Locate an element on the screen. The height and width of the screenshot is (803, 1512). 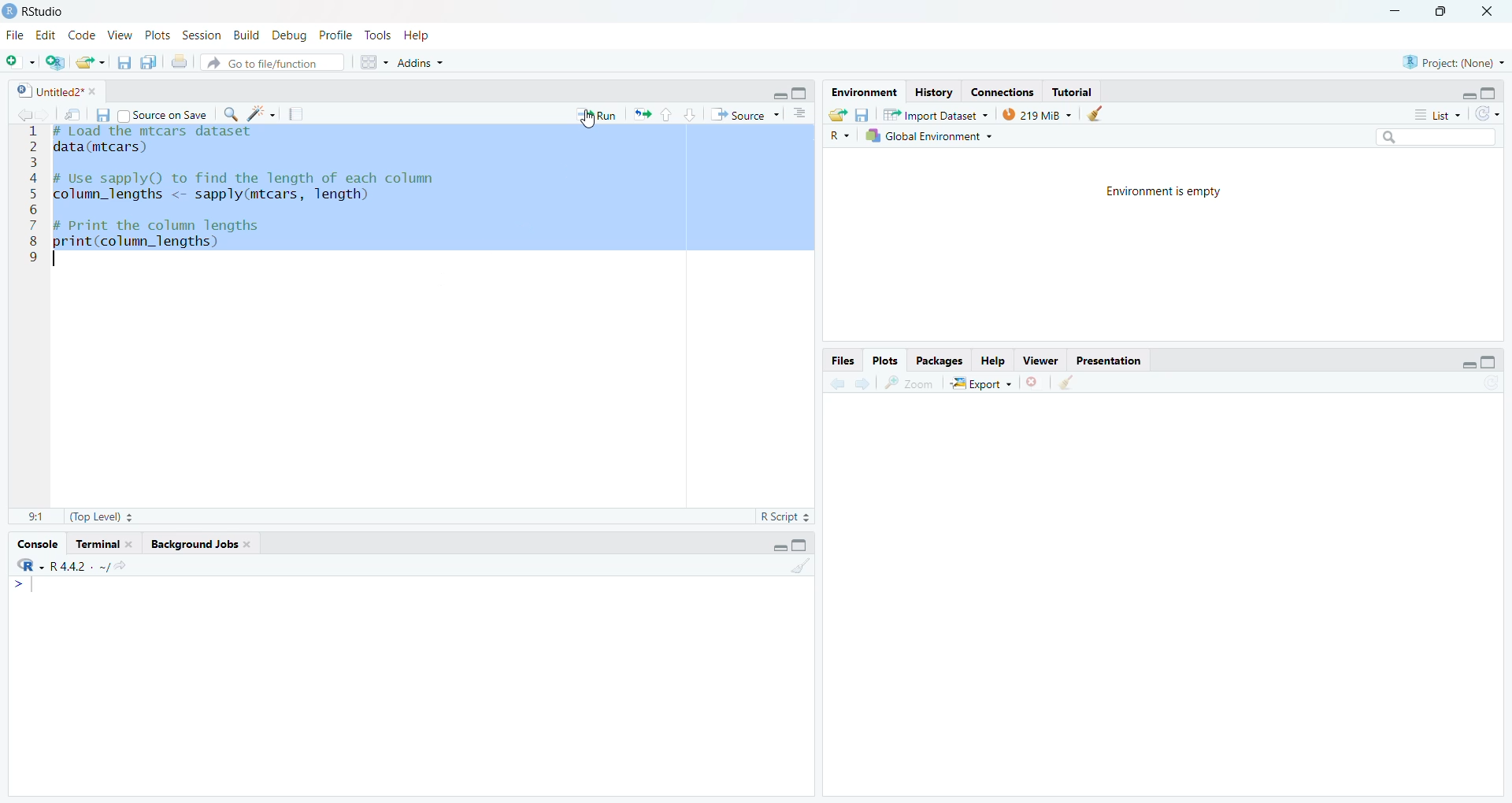
Global Environment is located at coordinates (928, 135).